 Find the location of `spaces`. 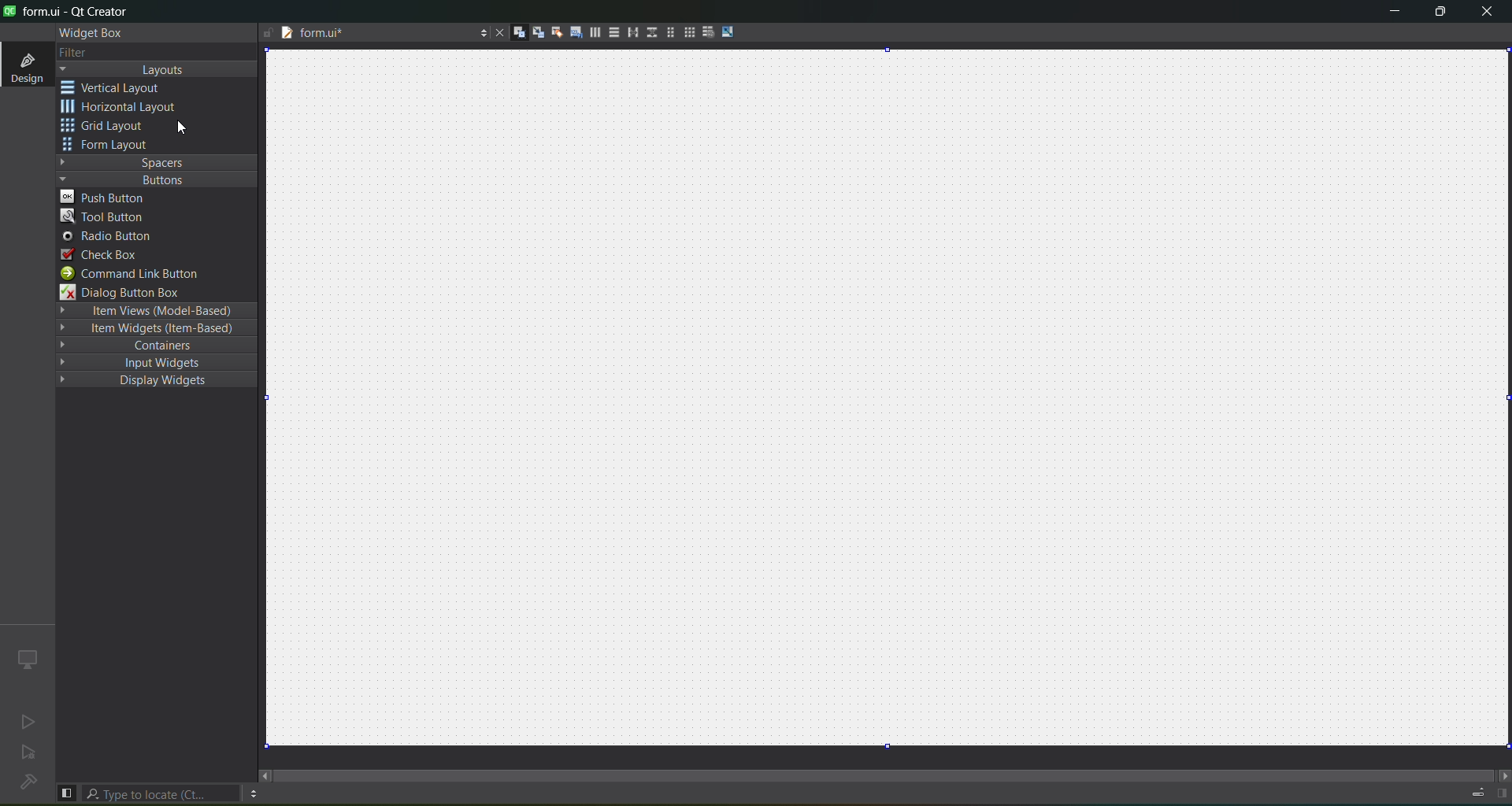

spaces is located at coordinates (157, 161).